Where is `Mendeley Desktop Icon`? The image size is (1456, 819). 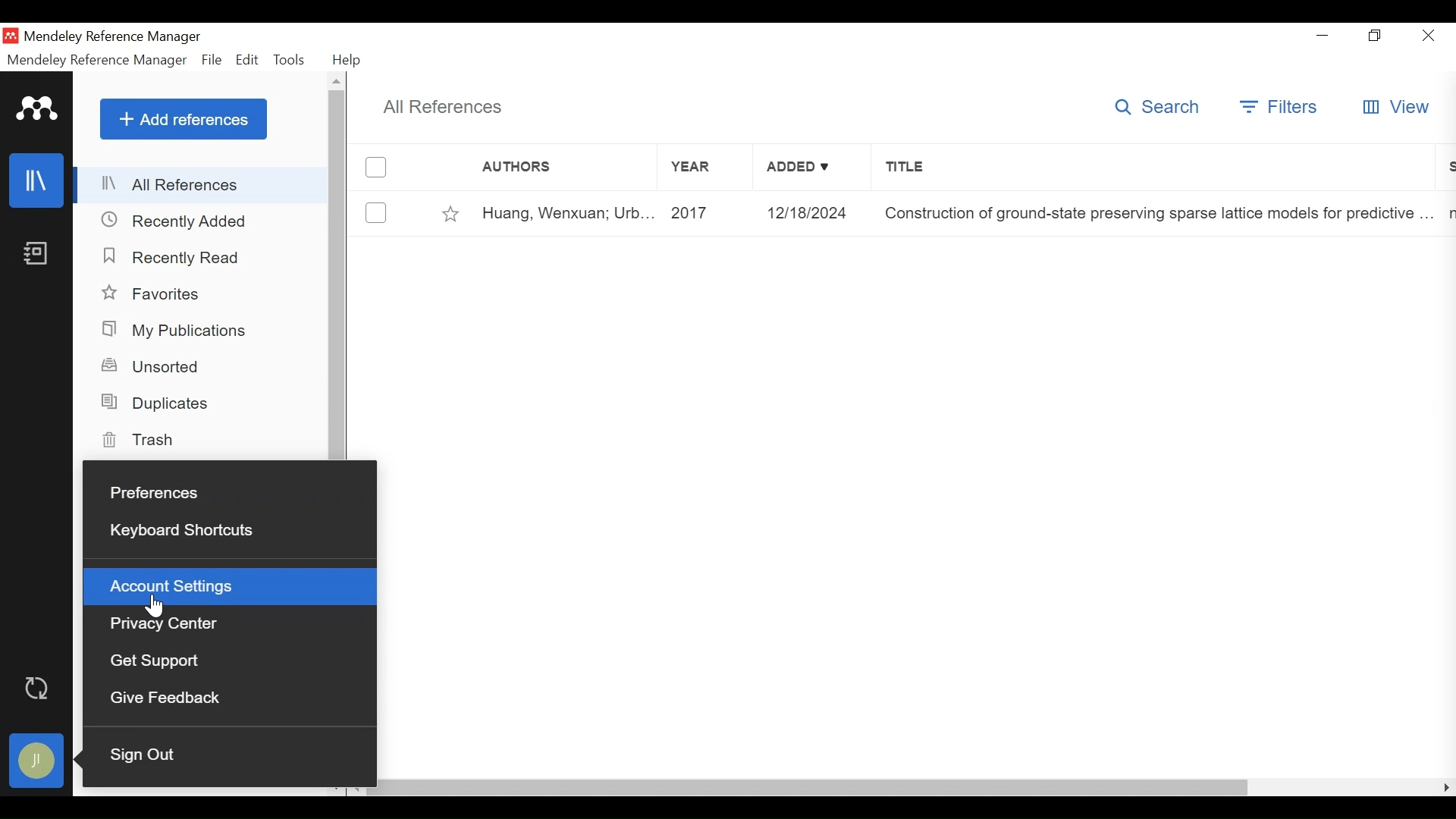 Mendeley Desktop Icon is located at coordinates (11, 35).